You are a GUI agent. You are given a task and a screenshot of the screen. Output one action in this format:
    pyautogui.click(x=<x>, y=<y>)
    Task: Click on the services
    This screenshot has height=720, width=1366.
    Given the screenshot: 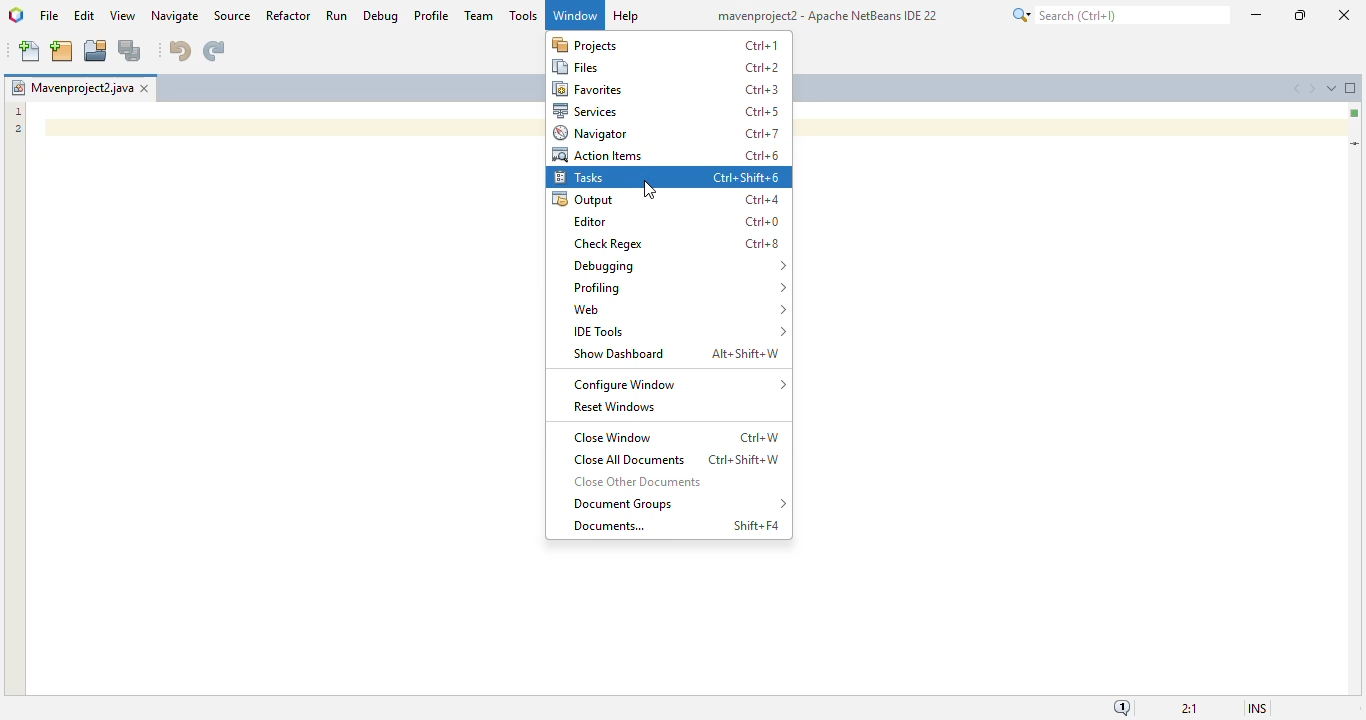 What is the action you would take?
    pyautogui.click(x=586, y=110)
    